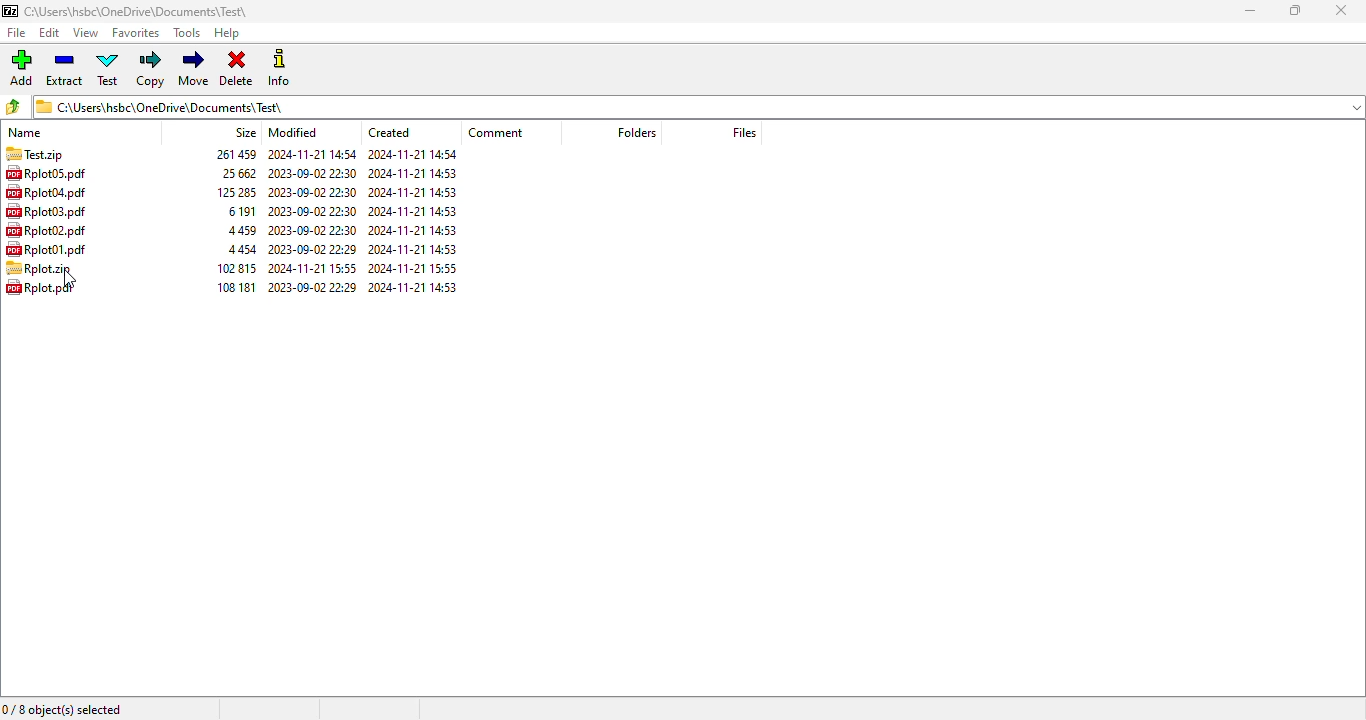 Image resolution: width=1366 pixels, height=720 pixels. Describe the element at coordinates (246, 133) in the screenshot. I see `size` at that location.